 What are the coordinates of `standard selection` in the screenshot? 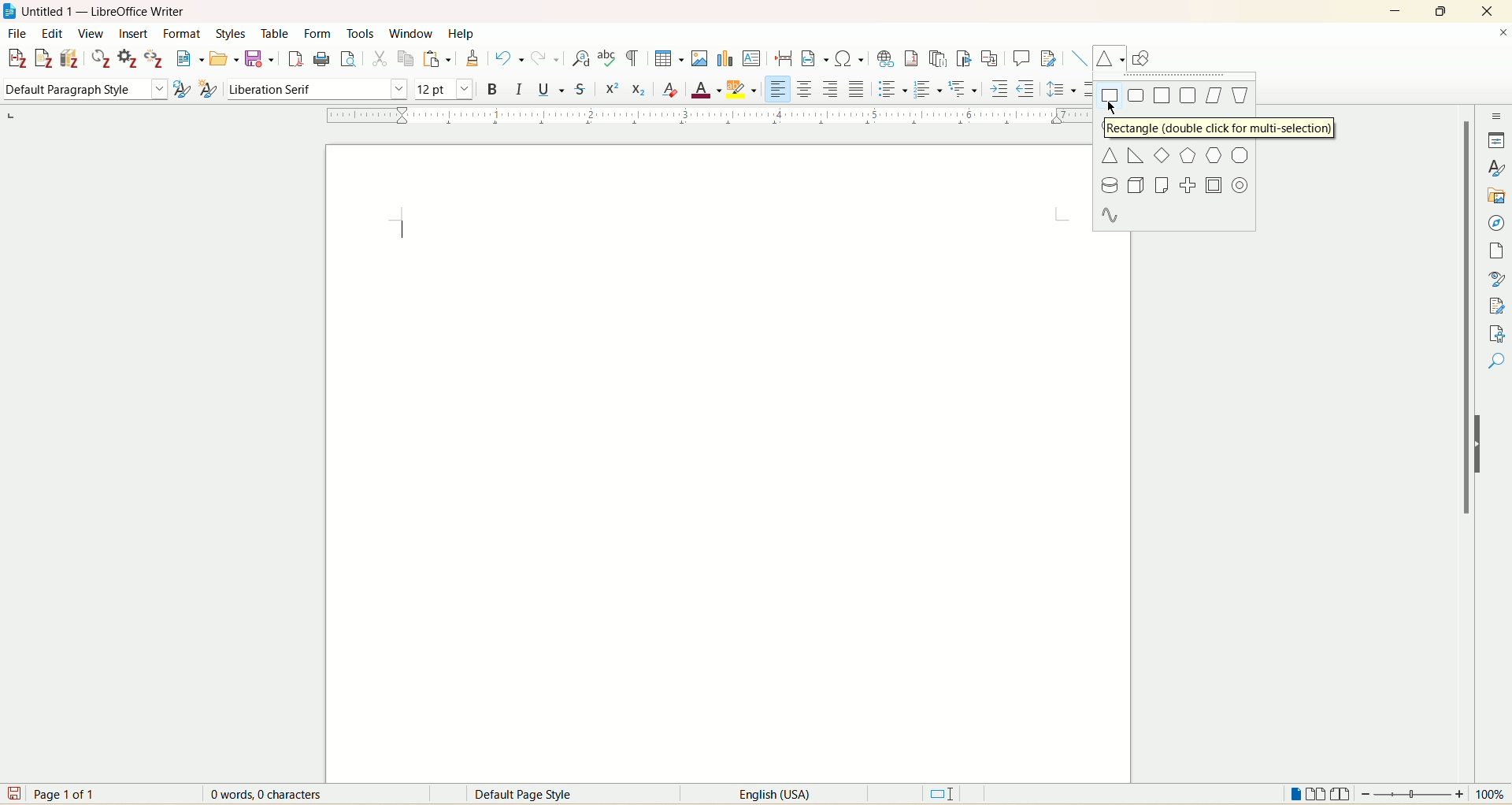 It's located at (943, 793).